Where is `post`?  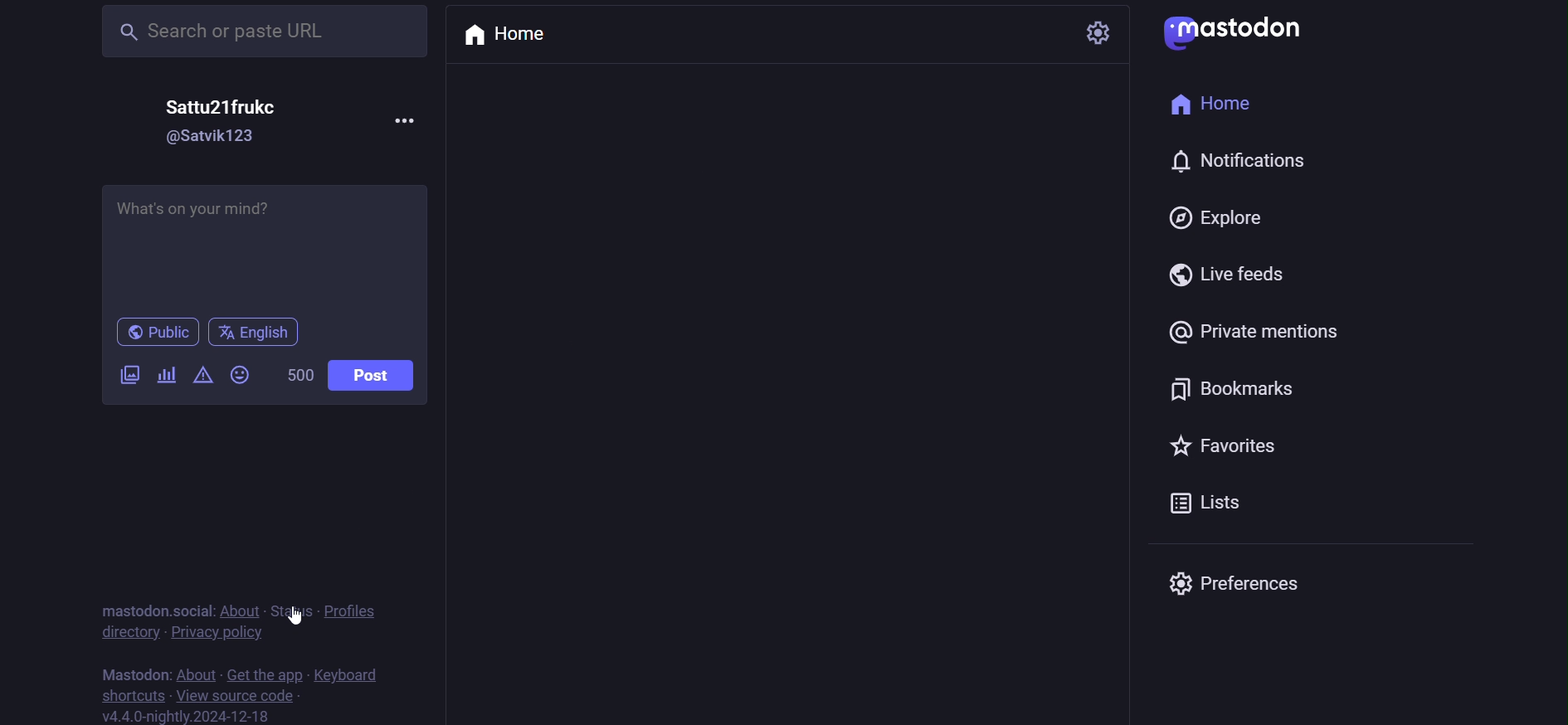
post is located at coordinates (373, 372).